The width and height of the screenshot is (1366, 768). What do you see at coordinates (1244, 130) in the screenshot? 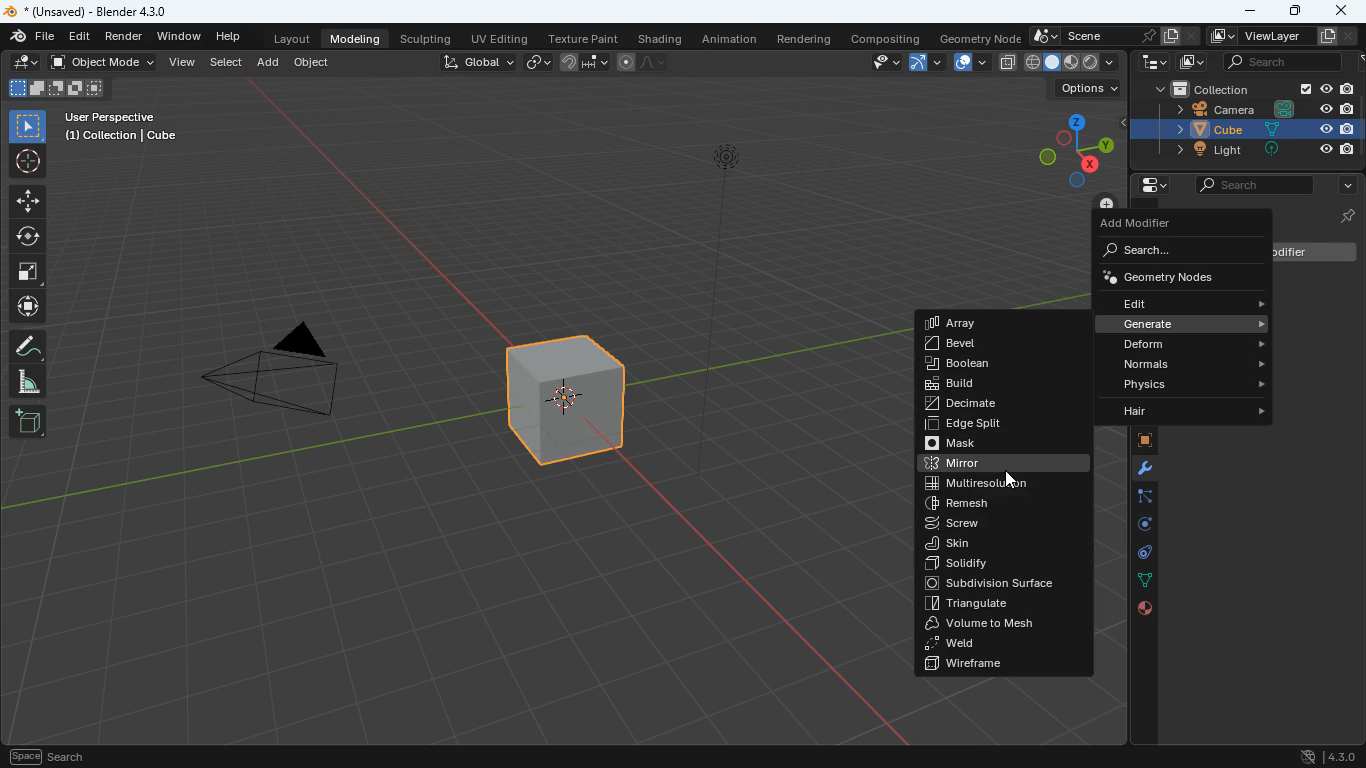
I see `cube` at bounding box center [1244, 130].